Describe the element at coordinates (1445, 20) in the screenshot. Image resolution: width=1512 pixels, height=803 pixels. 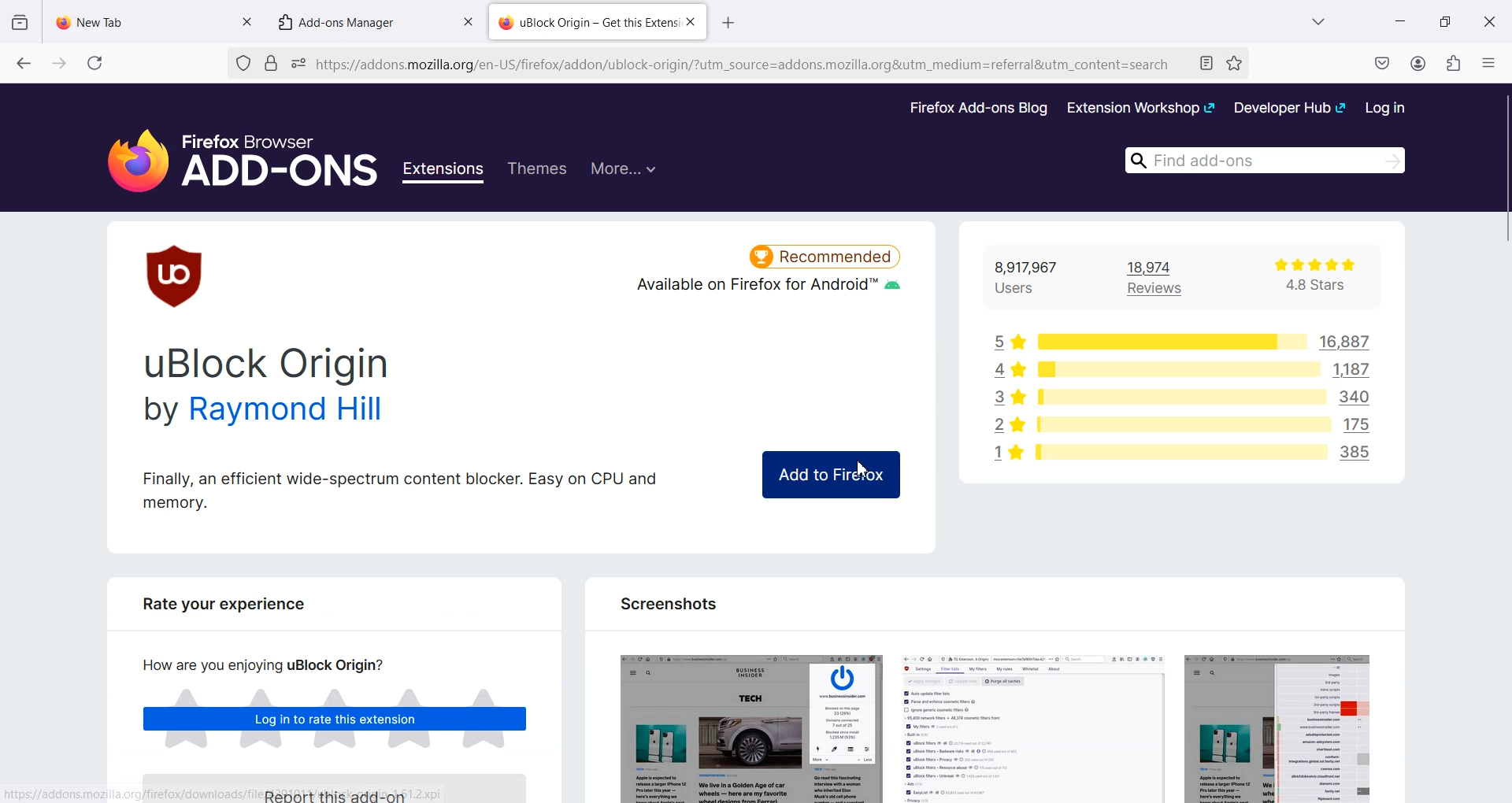
I see `Maximize` at that location.